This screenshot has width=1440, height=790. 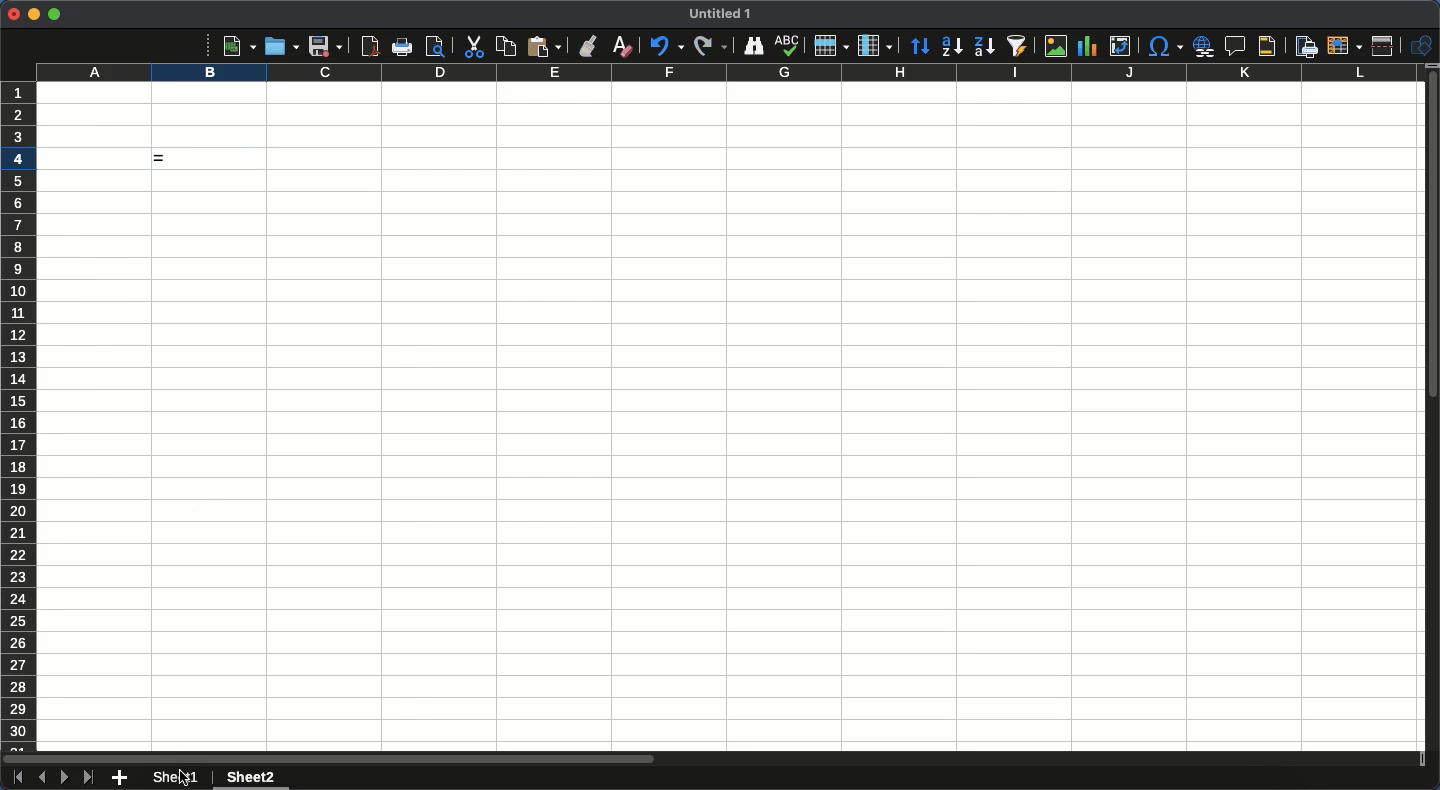 I want to click on Sheet 2, so click(x=248, y=779).